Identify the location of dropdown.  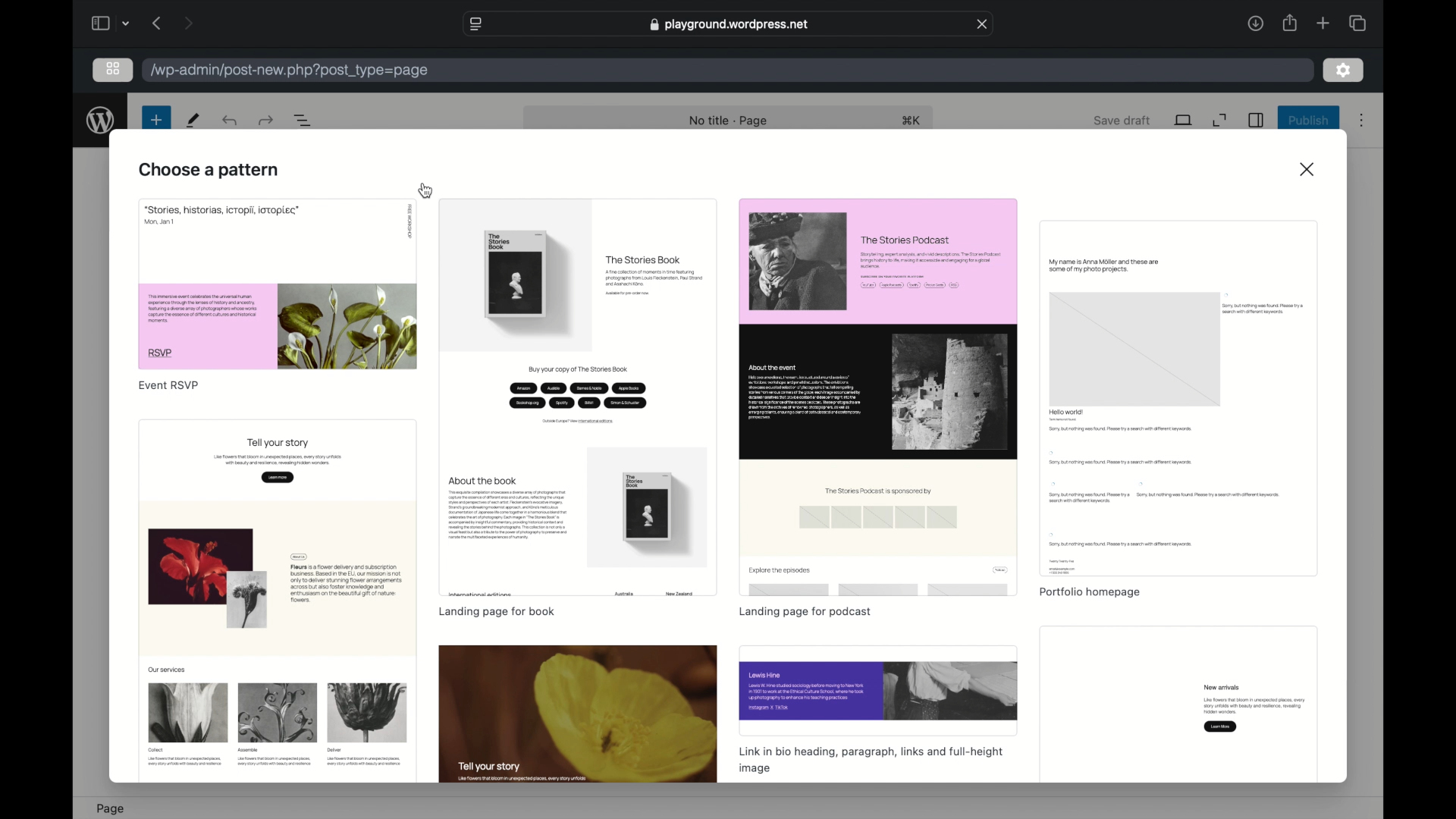
(127, 24).